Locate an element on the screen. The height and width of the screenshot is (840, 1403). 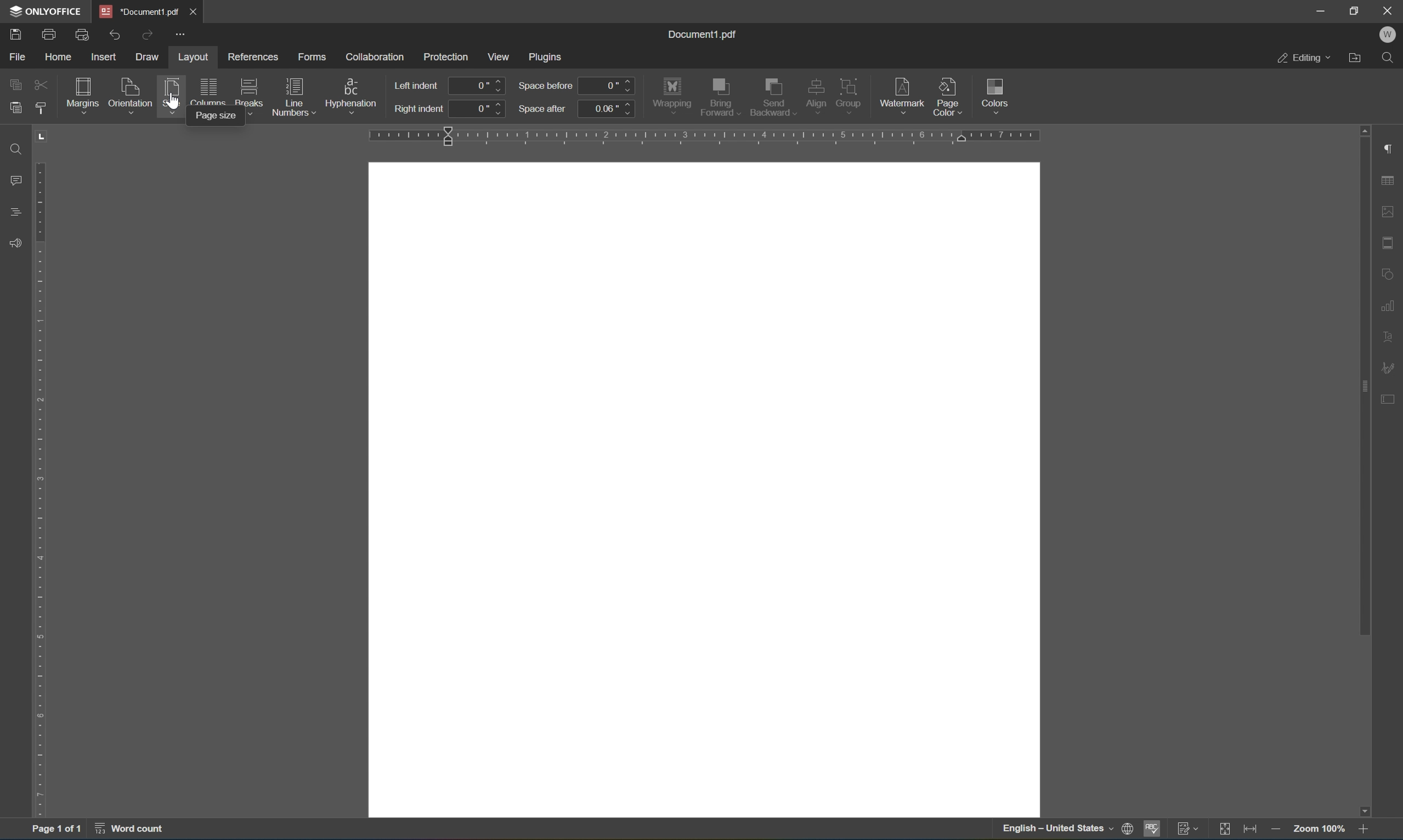
field is located at coordinates (41, 85).